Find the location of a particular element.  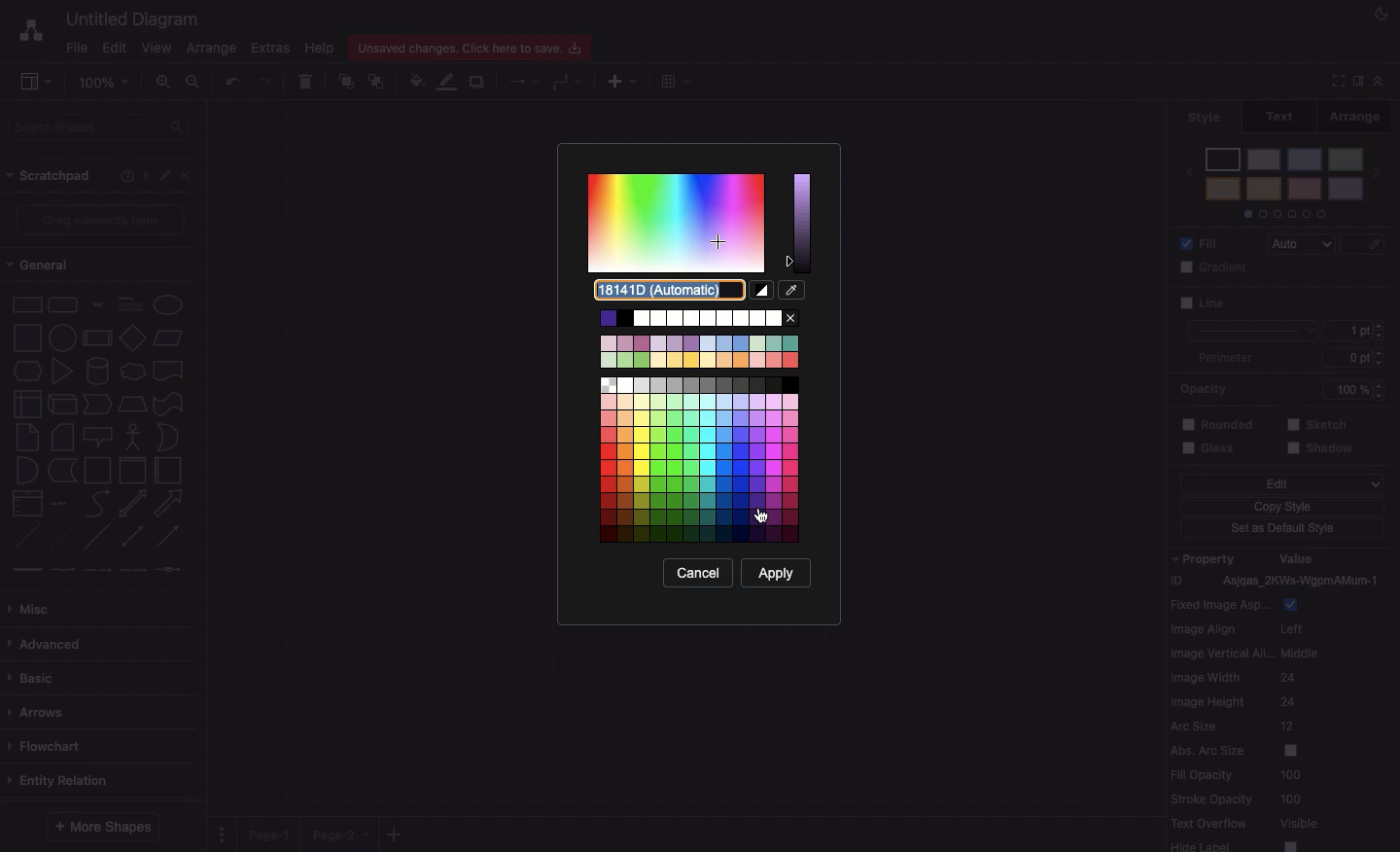

Cancel is located at coordinates (699, 572).